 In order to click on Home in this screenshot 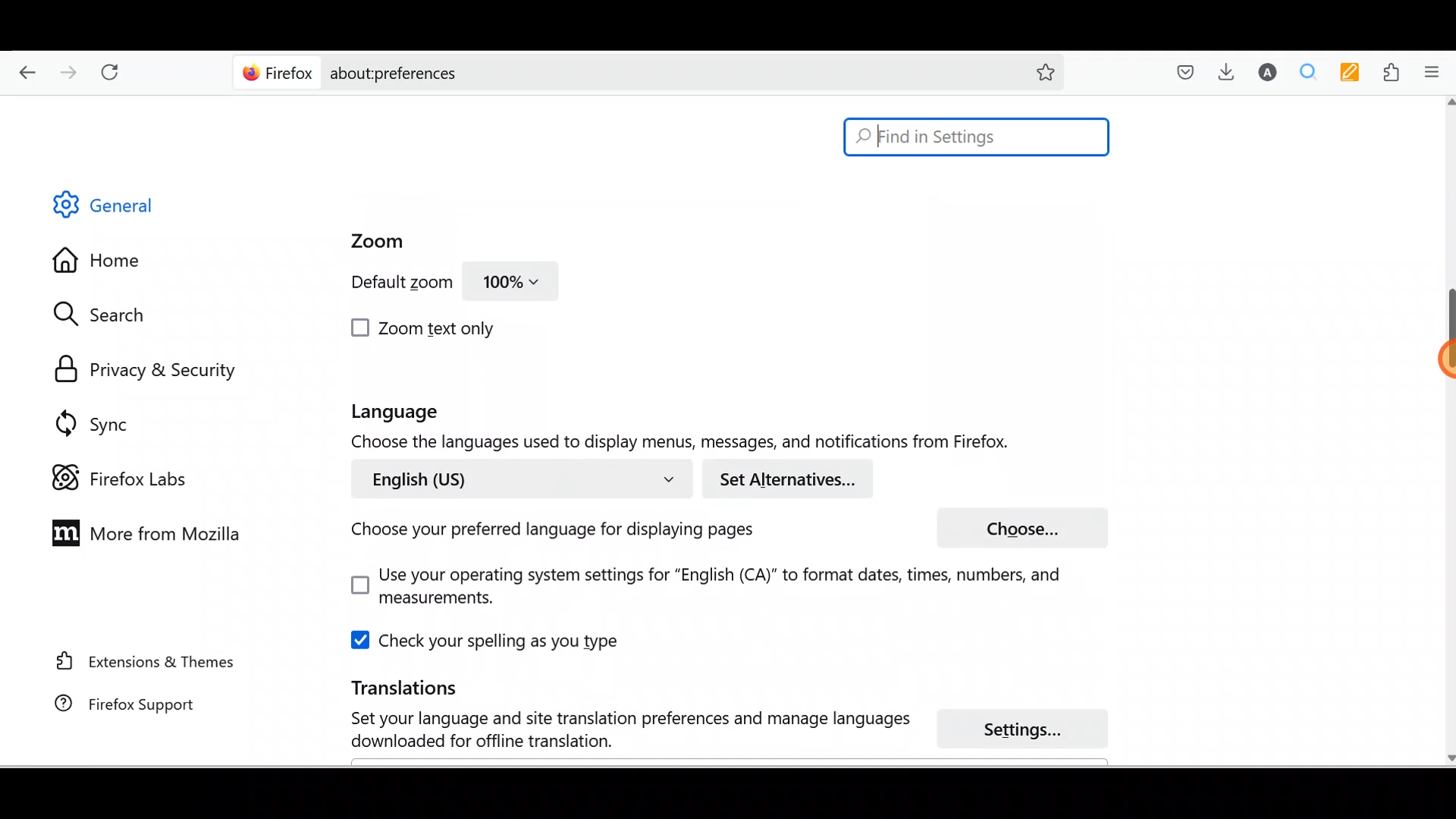, I will do `click(108, 264)`.